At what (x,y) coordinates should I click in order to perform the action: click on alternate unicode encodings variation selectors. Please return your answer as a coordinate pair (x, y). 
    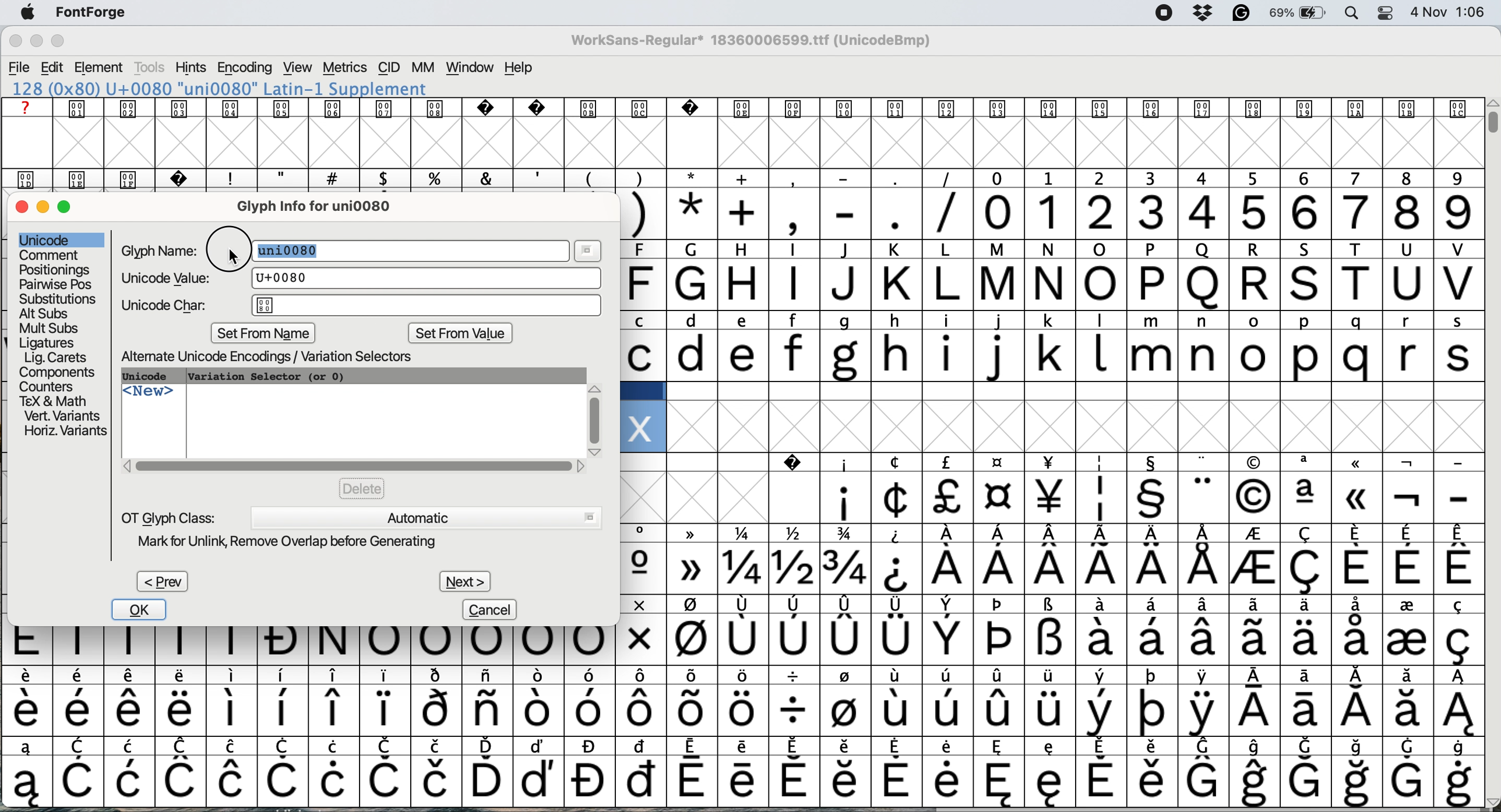
    Looking at the image, I should click on (280, 357).